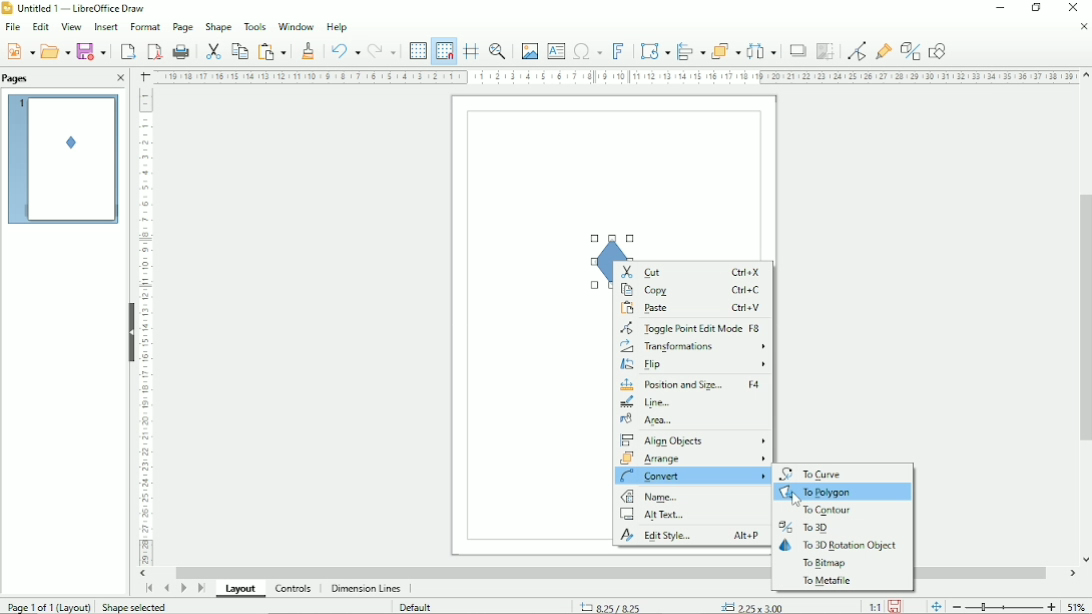 The image size is (1092, 614). Describe the element at coordinates (1082, 321) in the screenshot. I see `Vertical scrollbar` at that location.